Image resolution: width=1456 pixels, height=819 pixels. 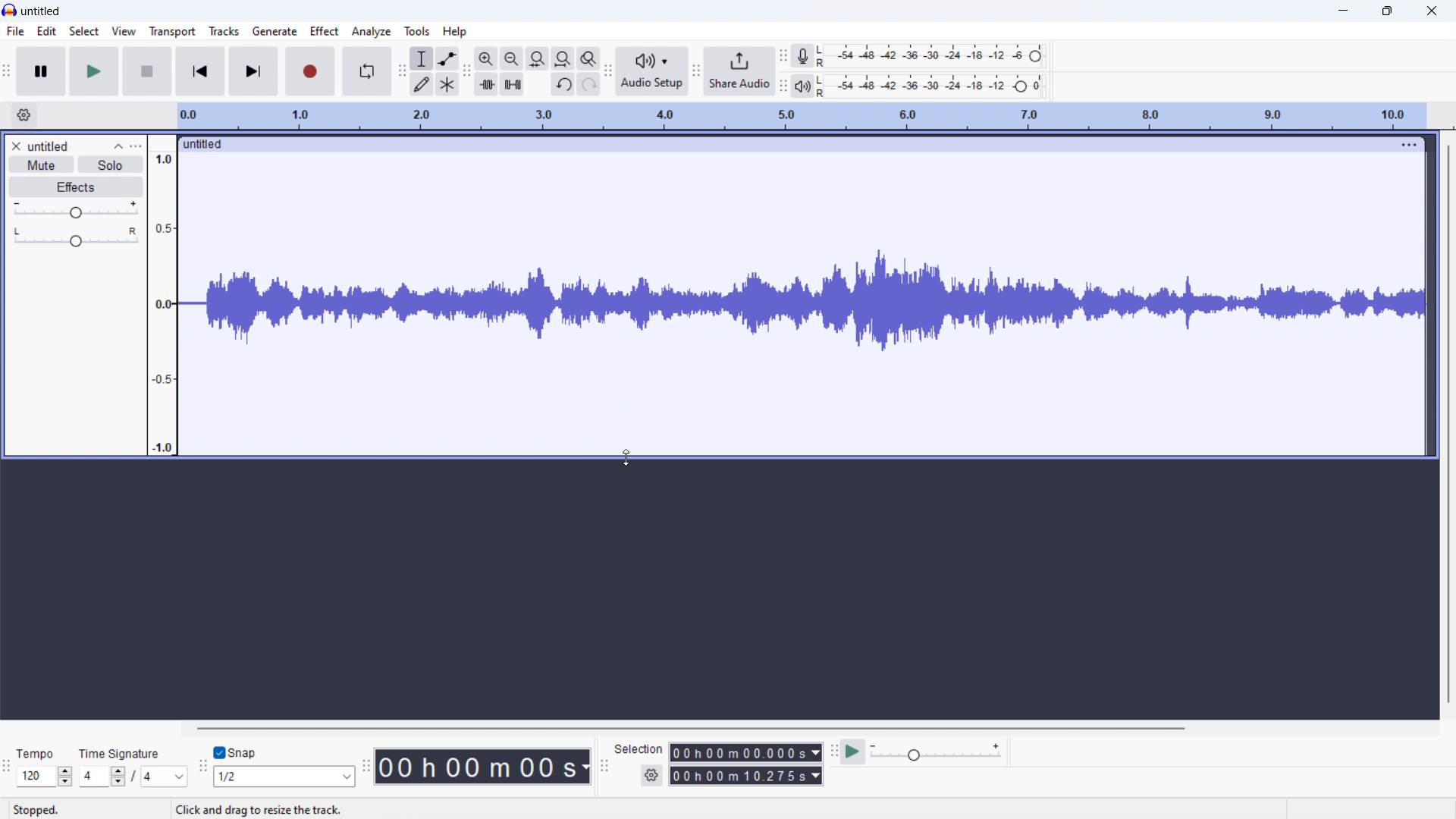 I want to click on share audio toolbar, so click(x=696, y=74).